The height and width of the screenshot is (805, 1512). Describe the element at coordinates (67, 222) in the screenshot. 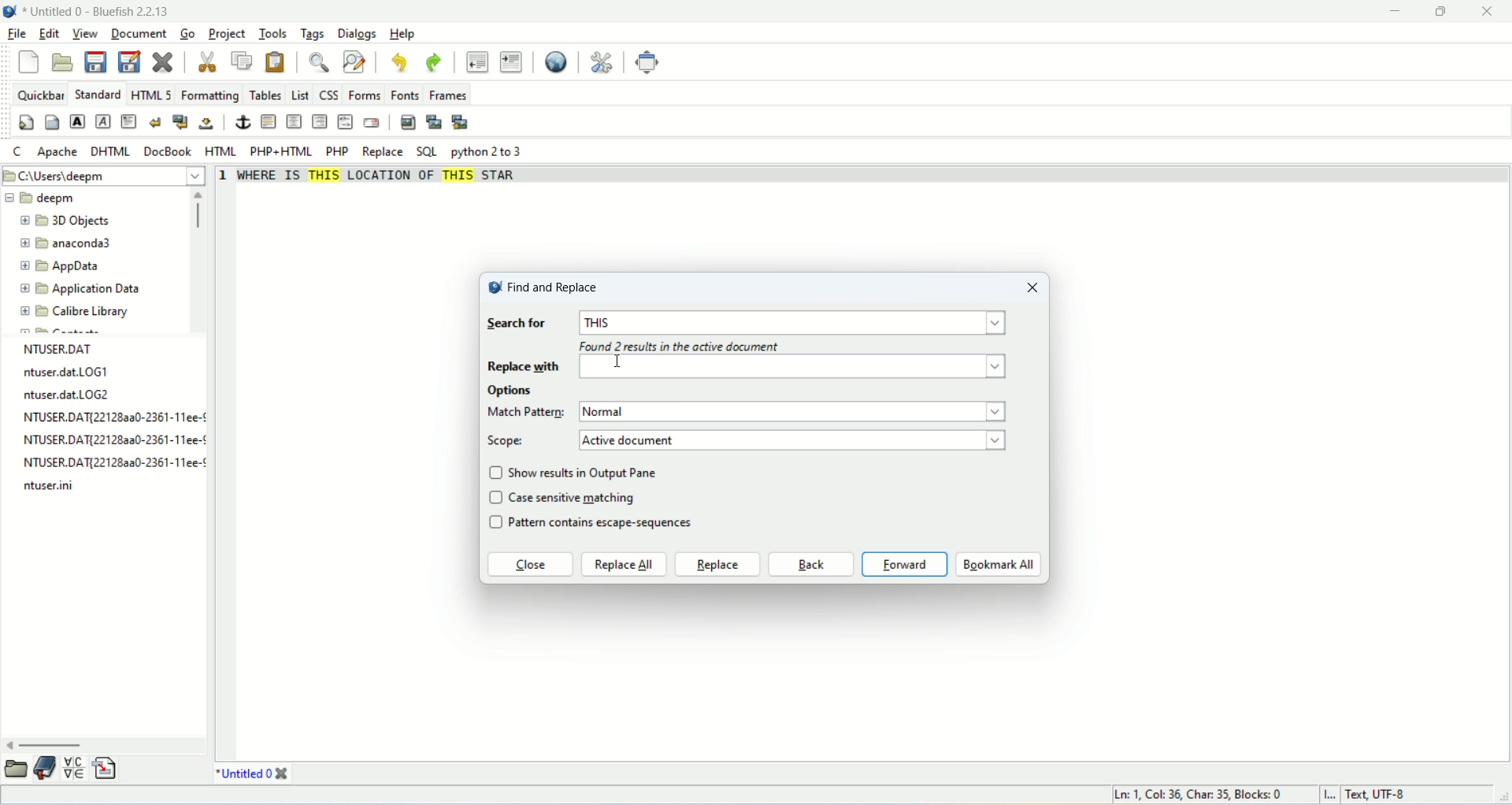

I see `3D objects` at that location.